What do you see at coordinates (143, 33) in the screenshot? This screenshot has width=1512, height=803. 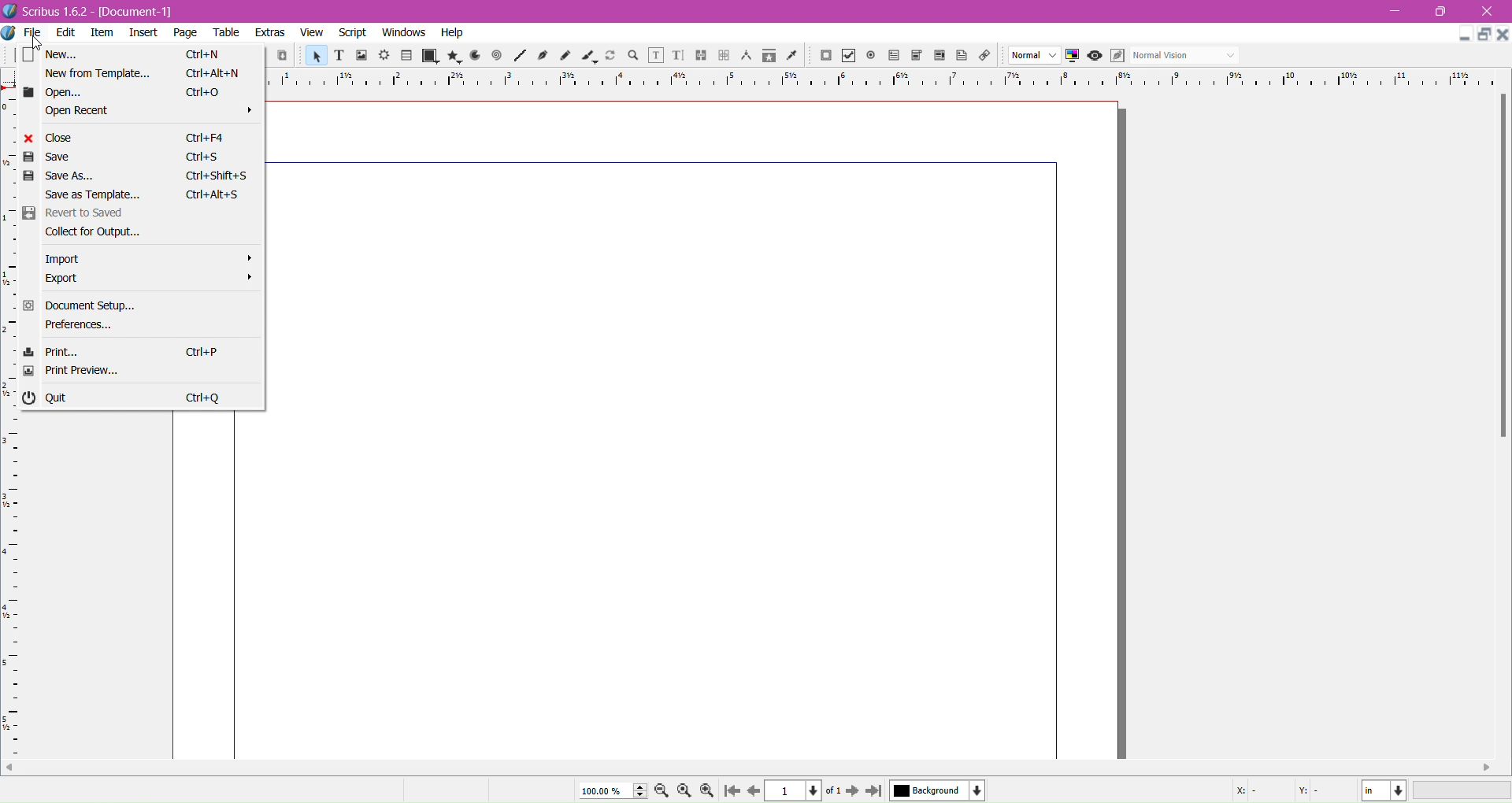 I see `Insert` at bounding box center [143, 33].